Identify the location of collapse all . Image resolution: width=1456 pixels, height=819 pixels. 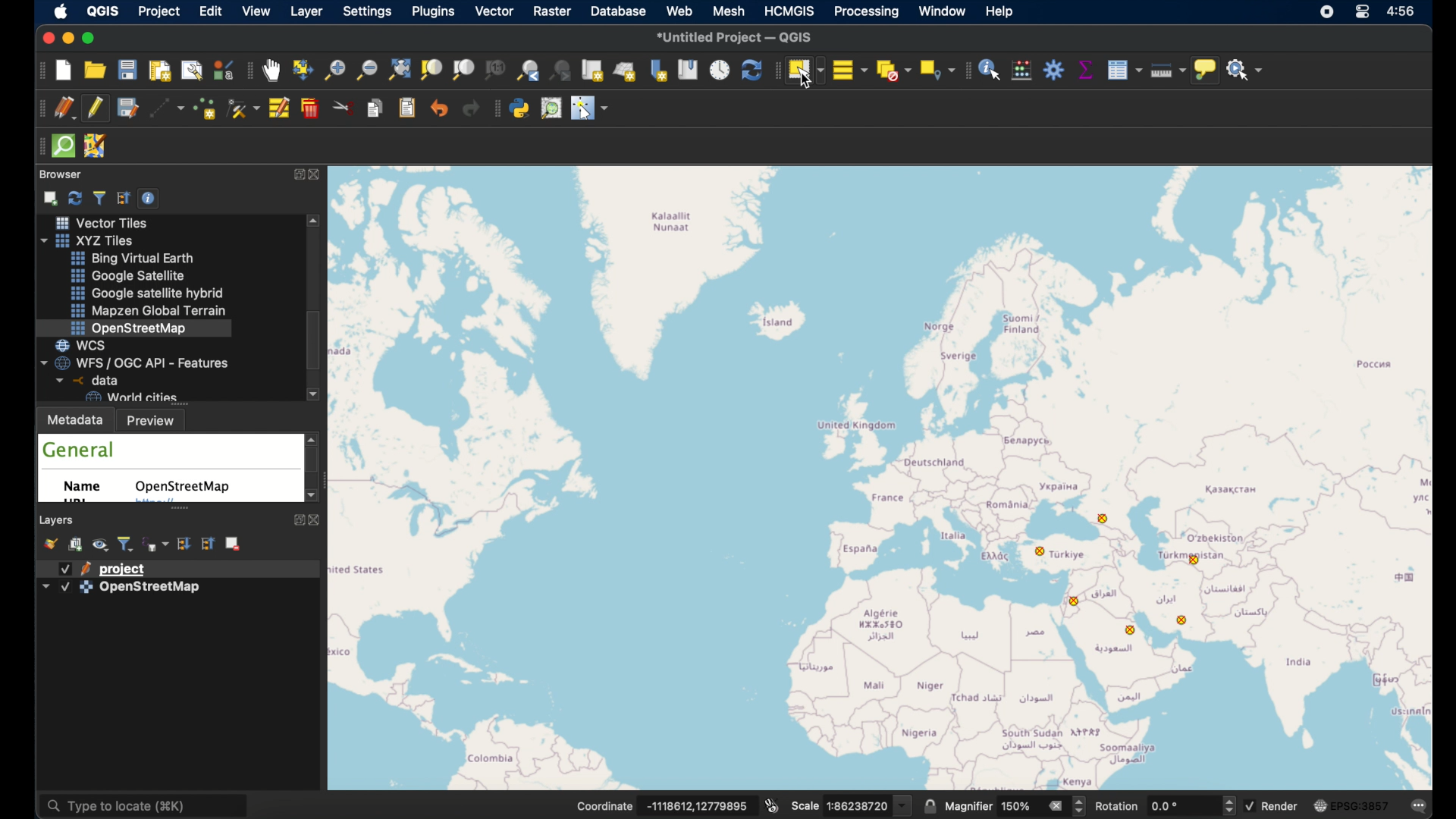
(124, 196).